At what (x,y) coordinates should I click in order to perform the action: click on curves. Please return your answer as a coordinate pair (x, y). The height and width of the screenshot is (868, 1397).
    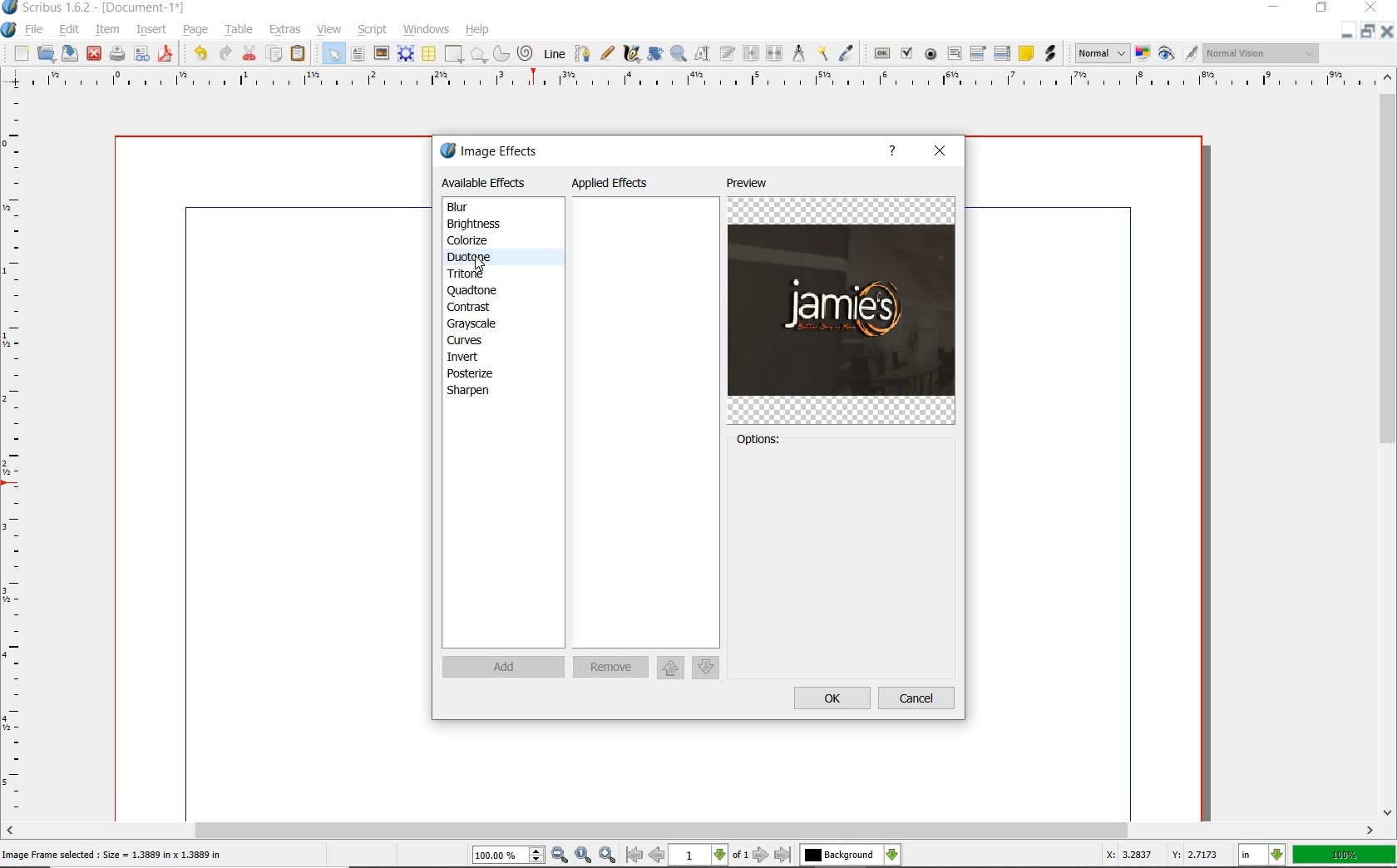
    Looking at the image, I should click on (467, 340).